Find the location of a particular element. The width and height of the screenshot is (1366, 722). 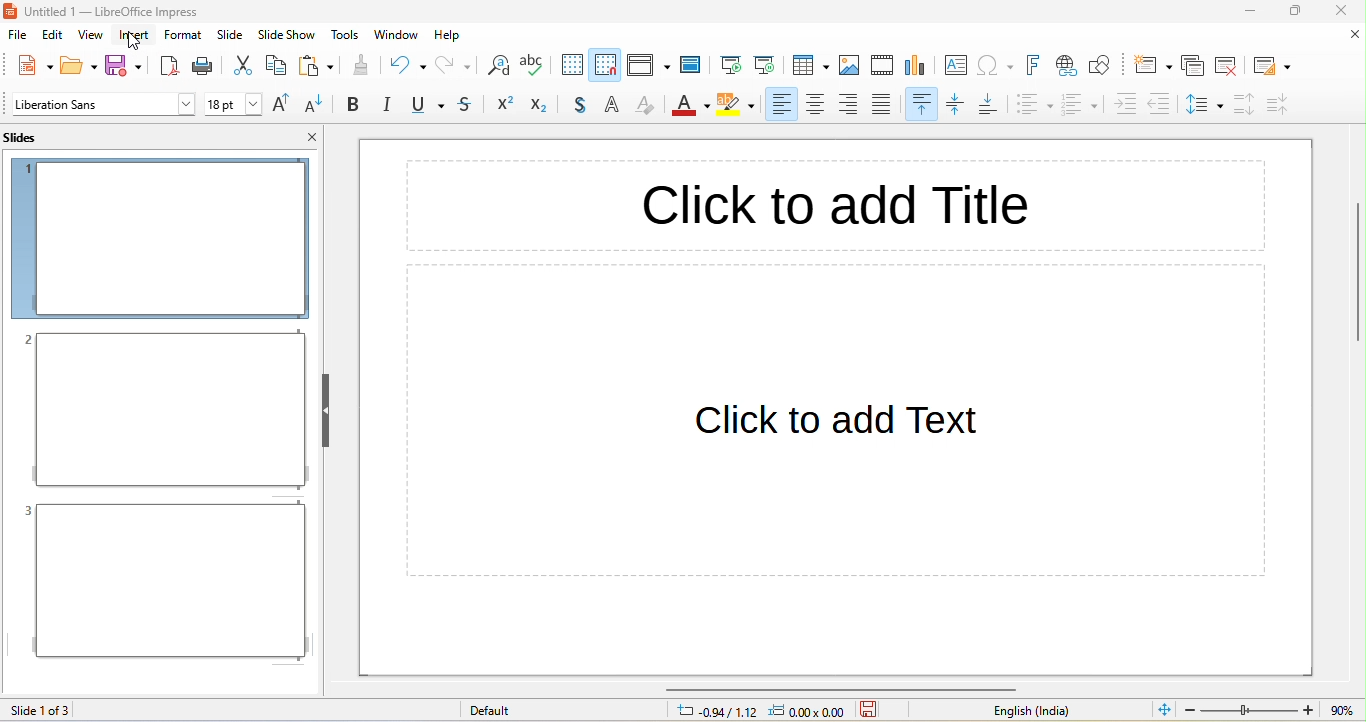

0.00x0.00 is located at coordinates (811, 712).